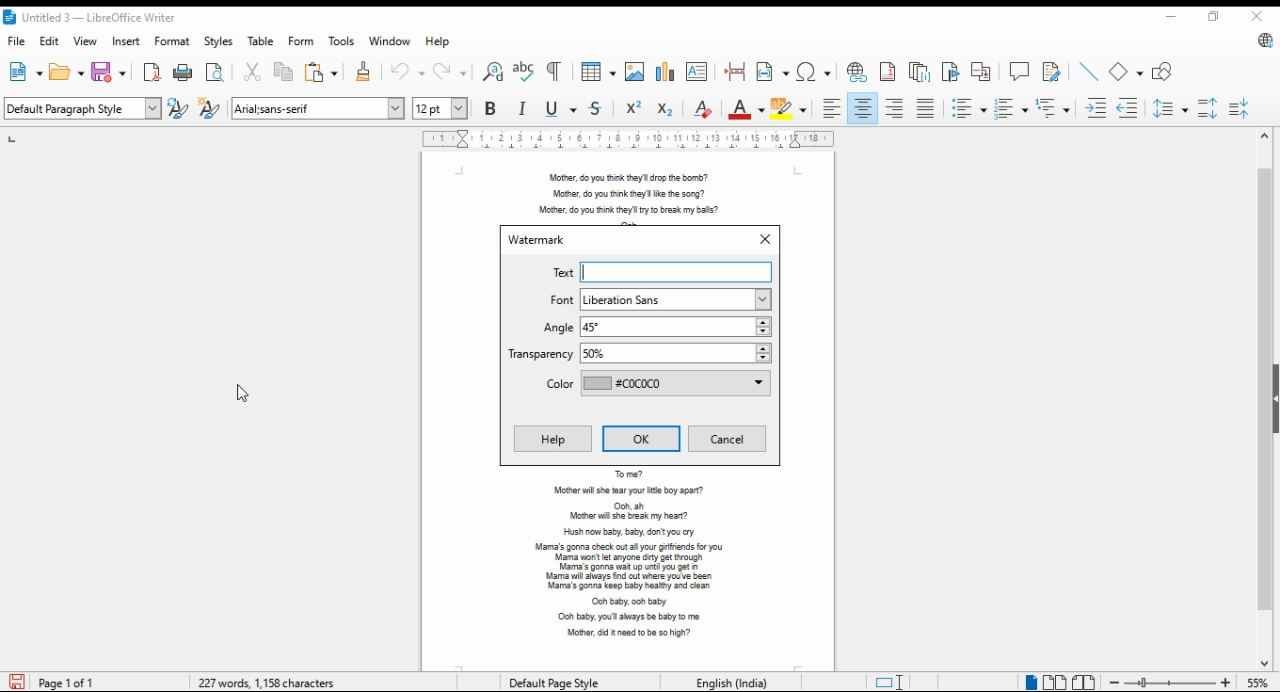  What do you see at coordinates (813, 72) in the screenshot?
I see `insert special characters` at bounding box center [813, 72].